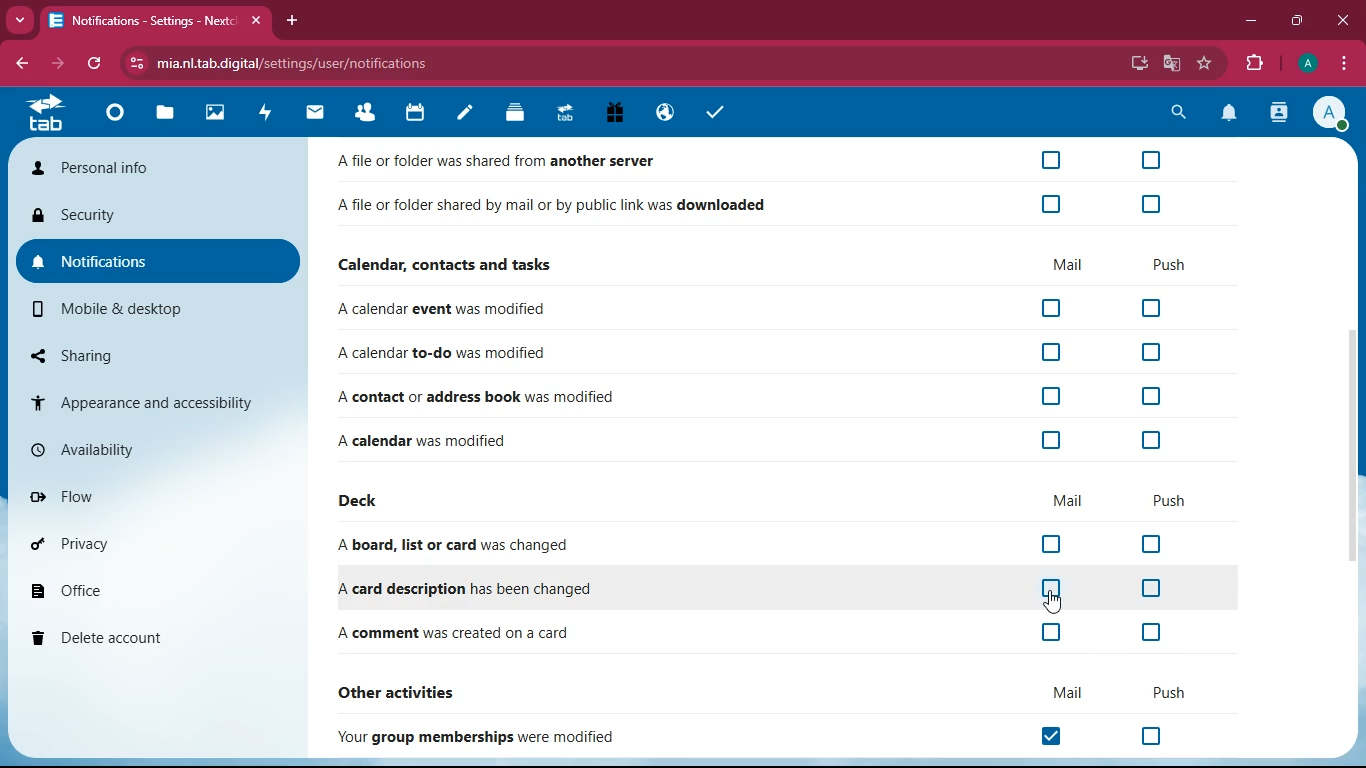  I want to click on search, so click(1174, 113).